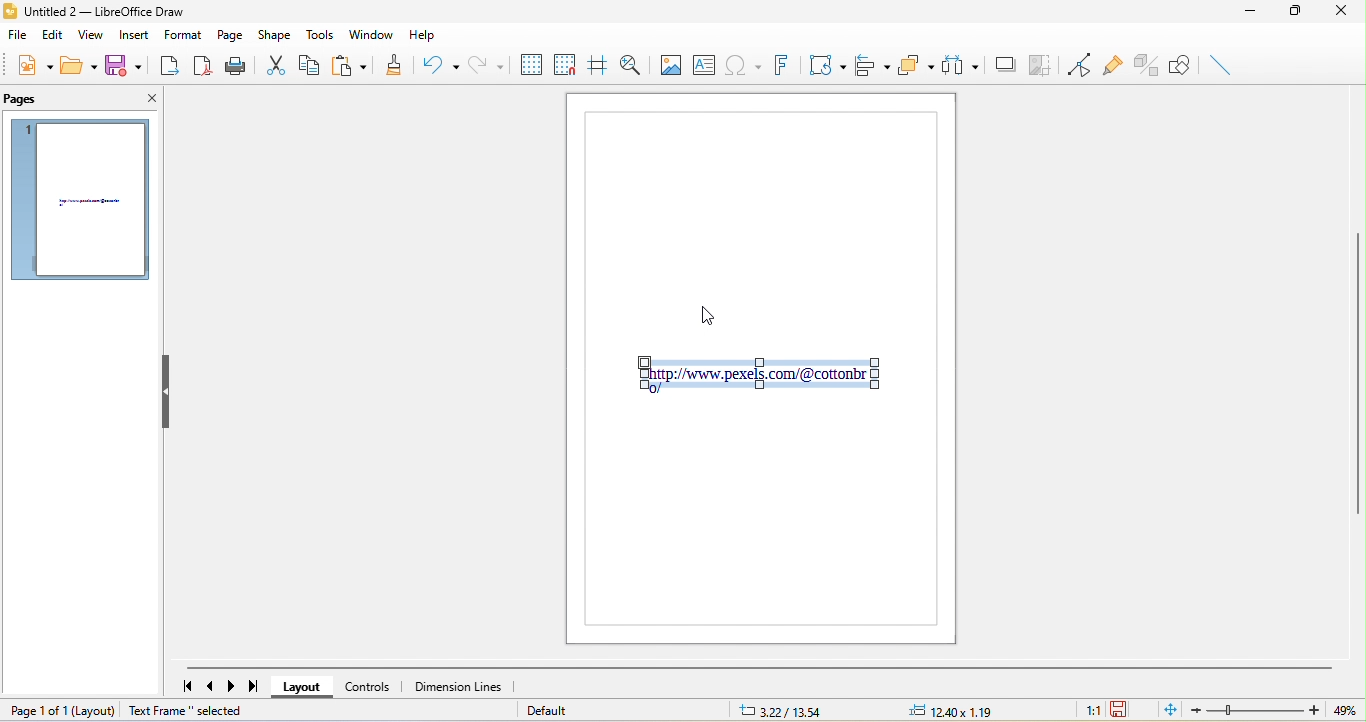 Image resolution: width=1366 pixels, height=722 pixels. I want to click on view, so click(90, 34).